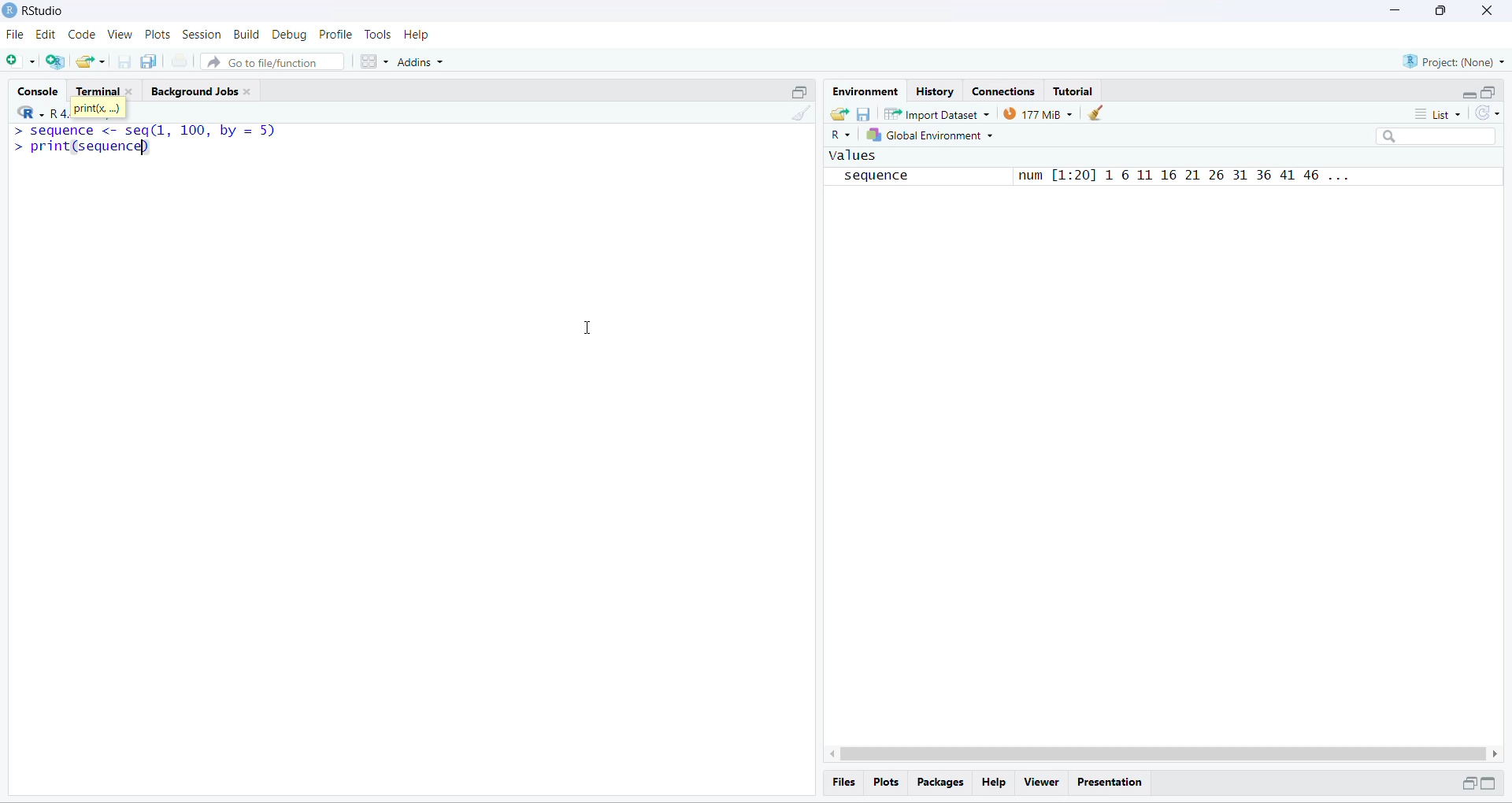 This screenshot has height=803, width=1512. Describe the element at coordinates (883, 176) in the screenshot. I see `sequence` at that location.